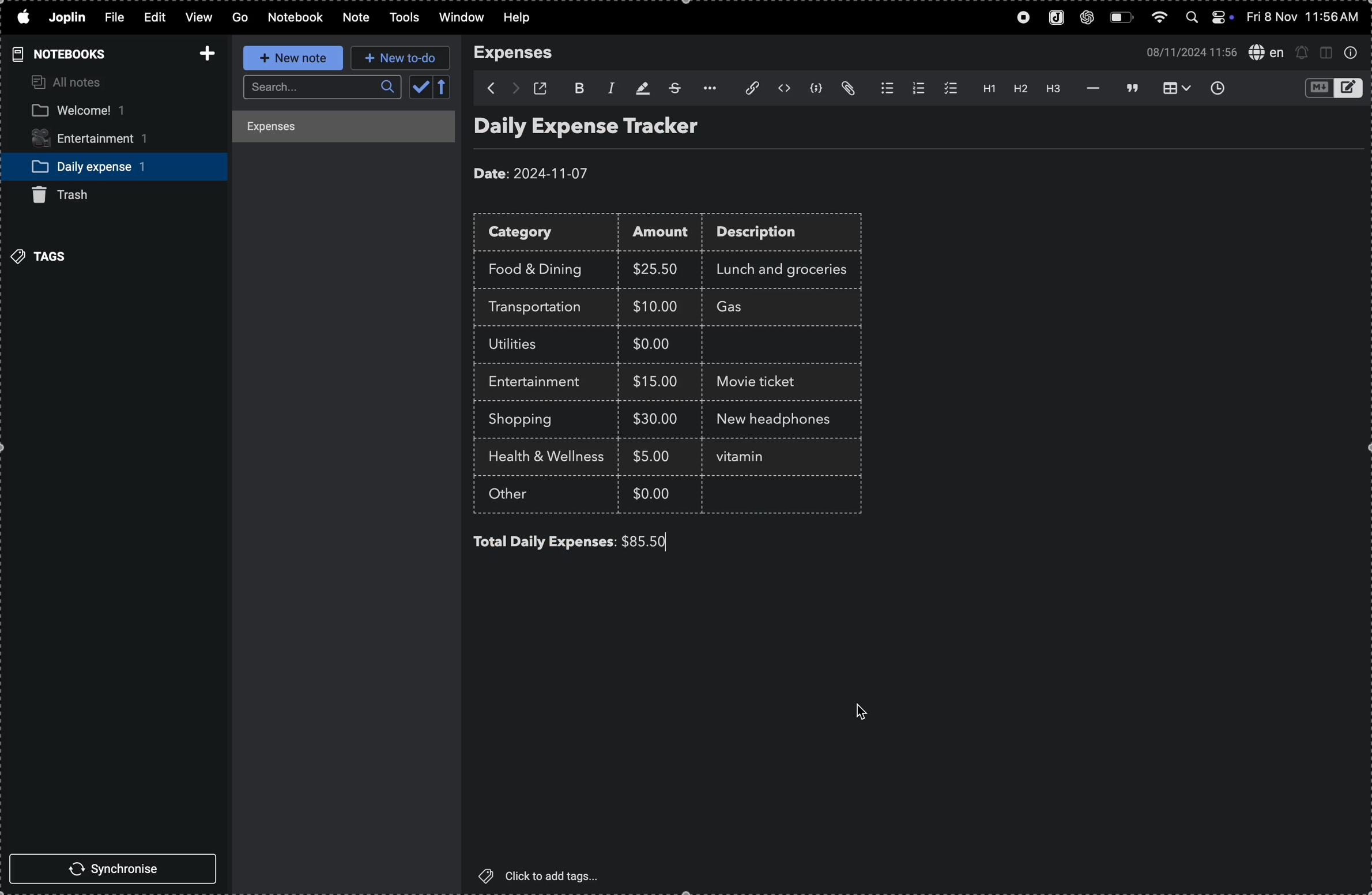 This screenshot has width=1372, height=895. I want to click on $15.00, so click(656, 381).